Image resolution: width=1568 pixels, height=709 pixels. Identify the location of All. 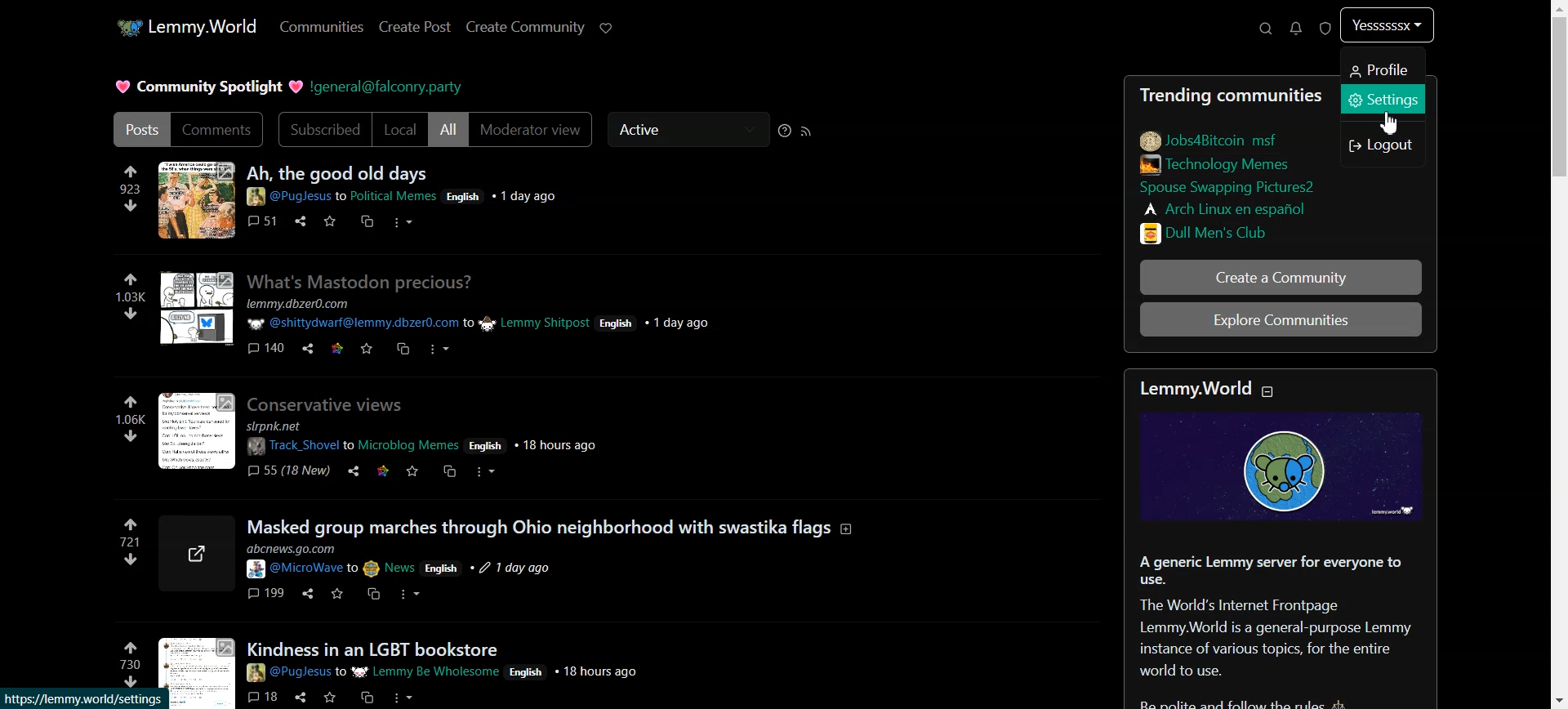
(448, 131).